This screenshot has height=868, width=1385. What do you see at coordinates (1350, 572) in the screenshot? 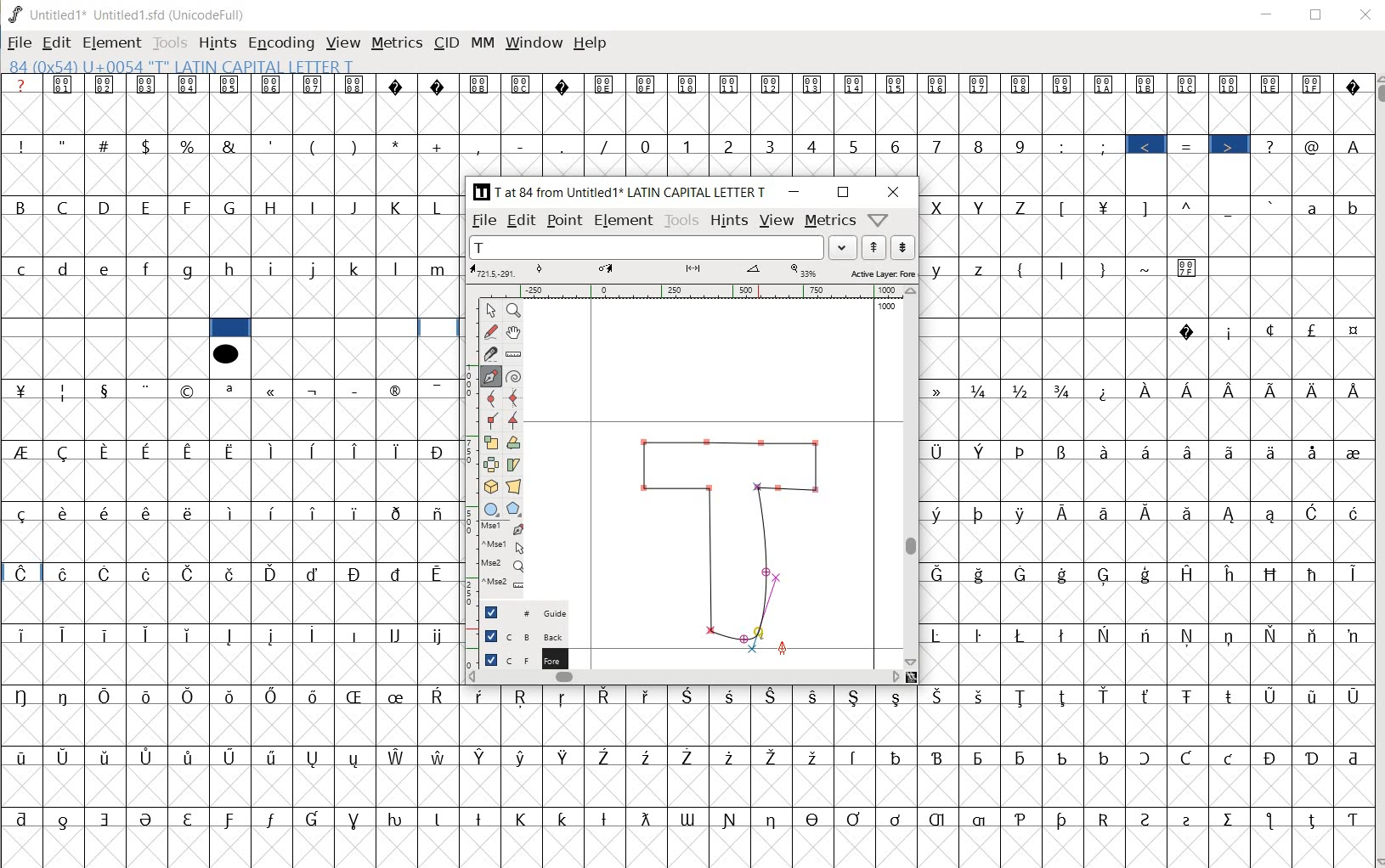
I see `Symbol` at bounding box center [1350, 572].